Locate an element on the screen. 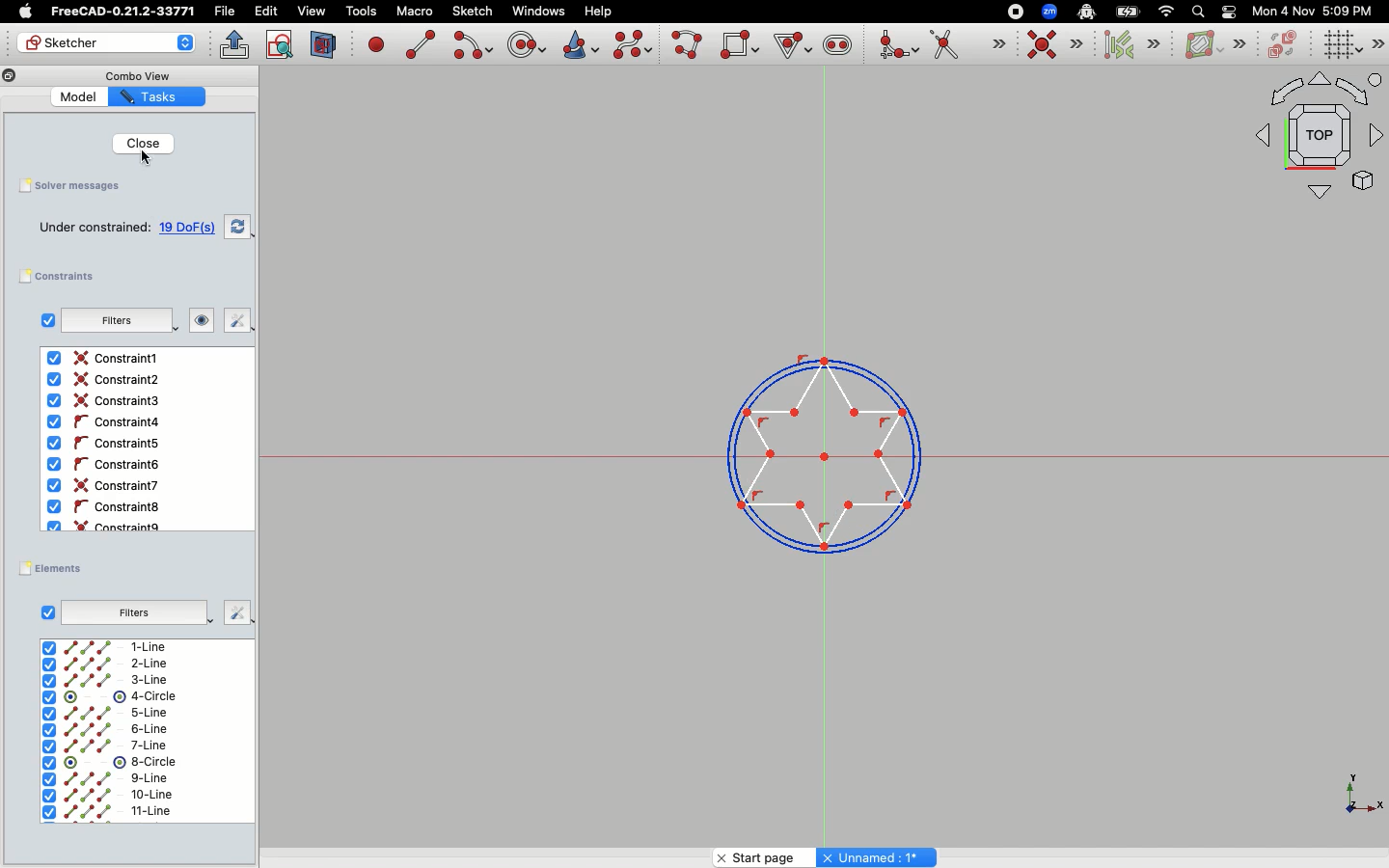 This screenshot has height=868, width=1389. Mon 4 Nov 5:09 PM is located at coordinates (1315, 12).